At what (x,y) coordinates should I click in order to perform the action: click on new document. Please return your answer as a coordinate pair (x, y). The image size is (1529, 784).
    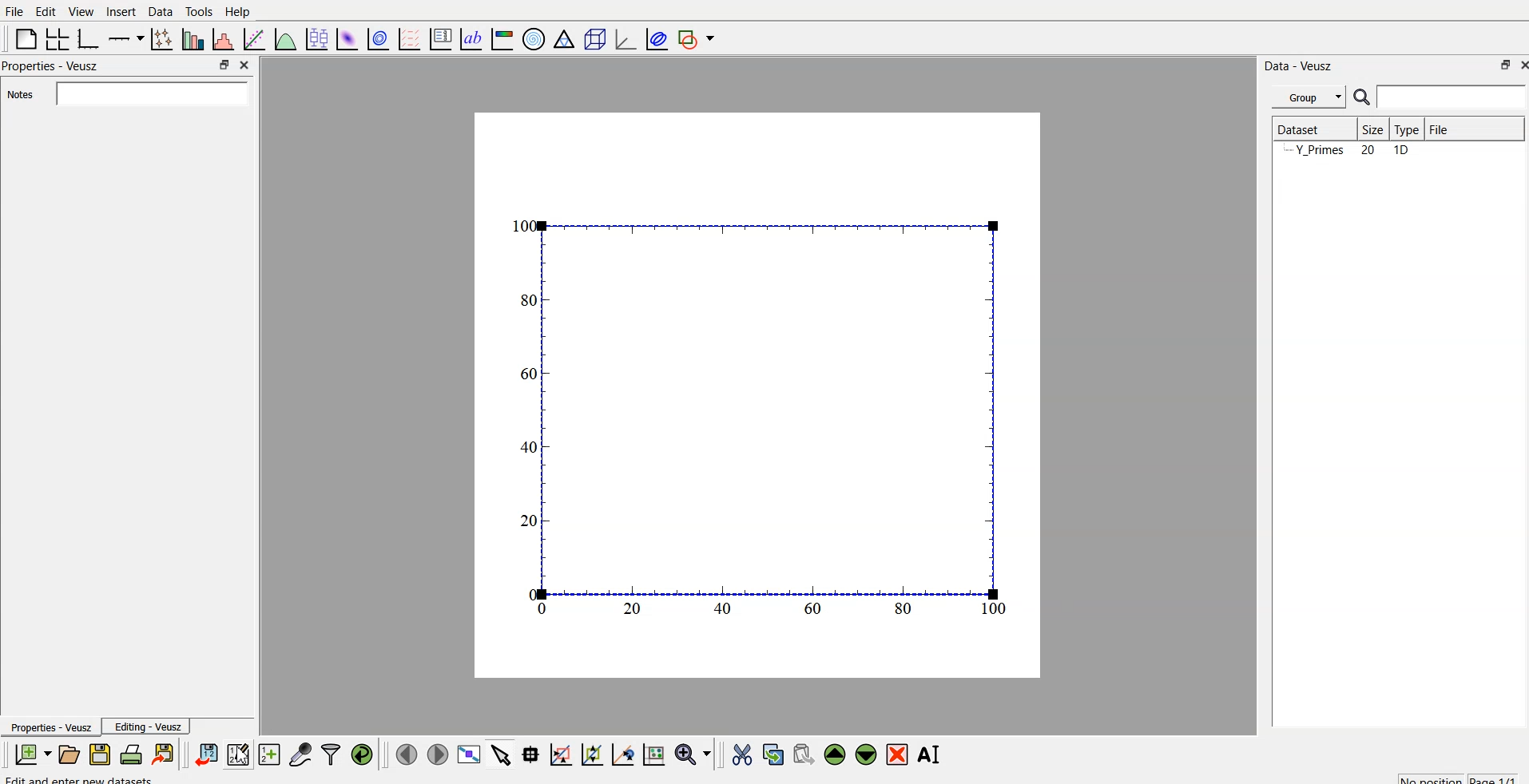
    Looking at the image, I should click on (30, 754).